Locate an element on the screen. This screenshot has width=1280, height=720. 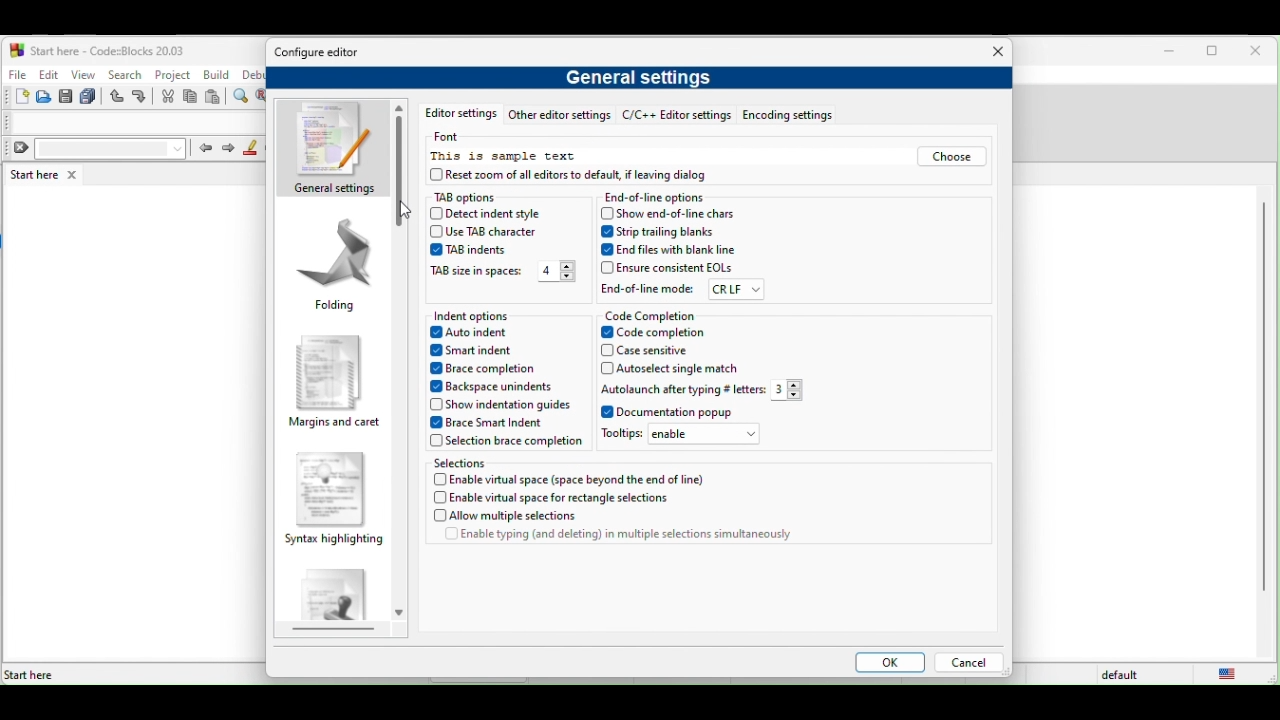
tooltips: enable is located at coordinates (686, 437).